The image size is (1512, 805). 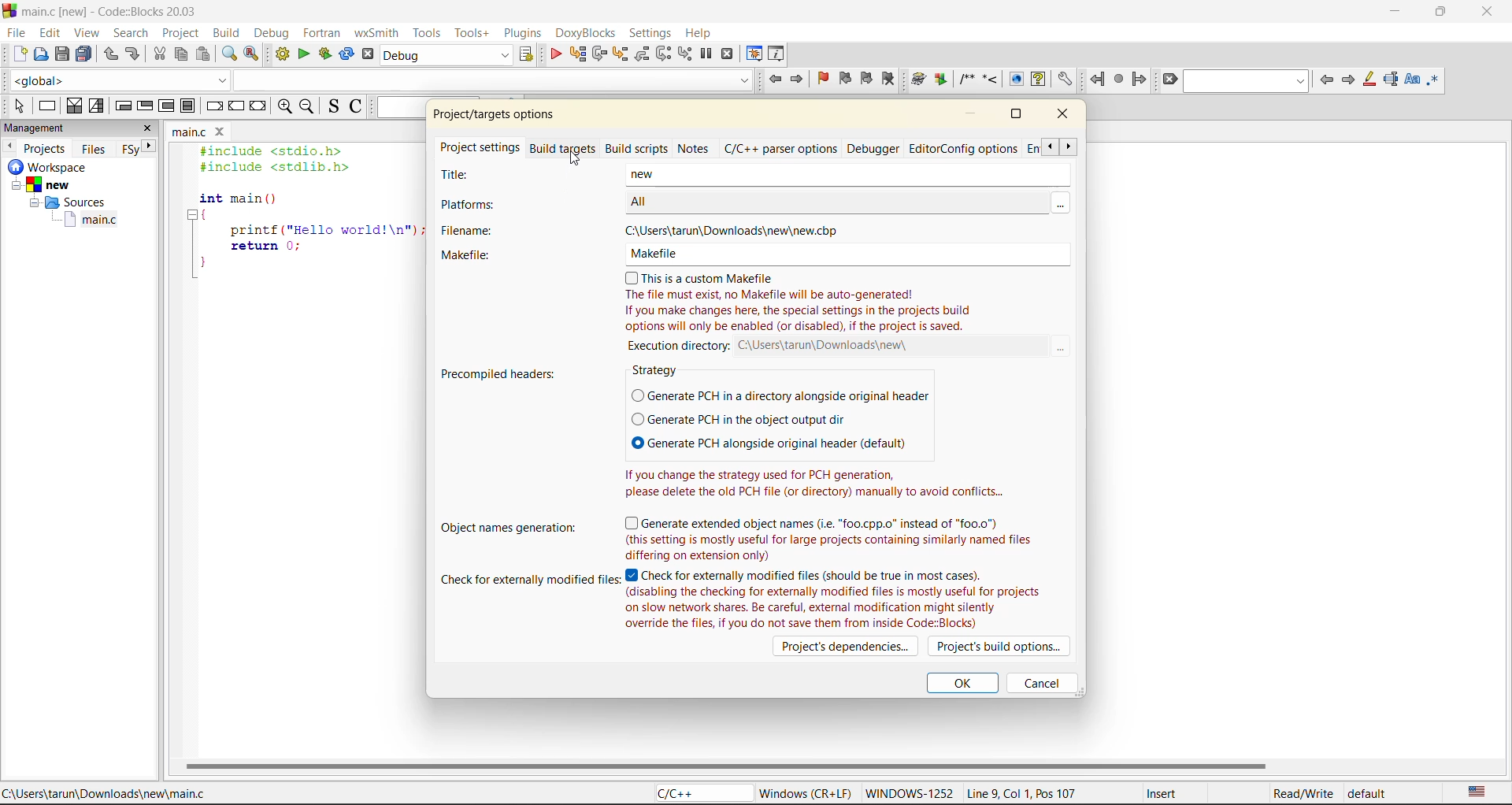 I want to click on close, so click(x=1066, y=117).